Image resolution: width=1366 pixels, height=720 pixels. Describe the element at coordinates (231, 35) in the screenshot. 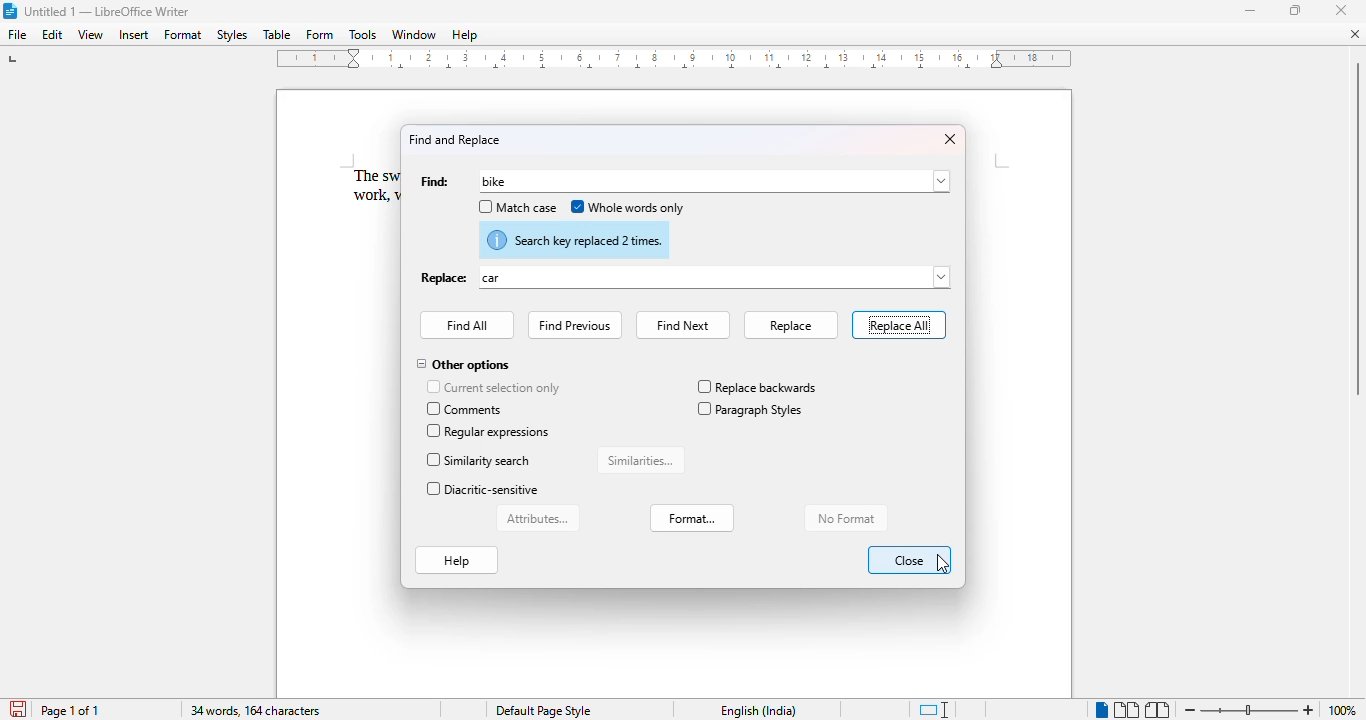

I see `styles` at that location.